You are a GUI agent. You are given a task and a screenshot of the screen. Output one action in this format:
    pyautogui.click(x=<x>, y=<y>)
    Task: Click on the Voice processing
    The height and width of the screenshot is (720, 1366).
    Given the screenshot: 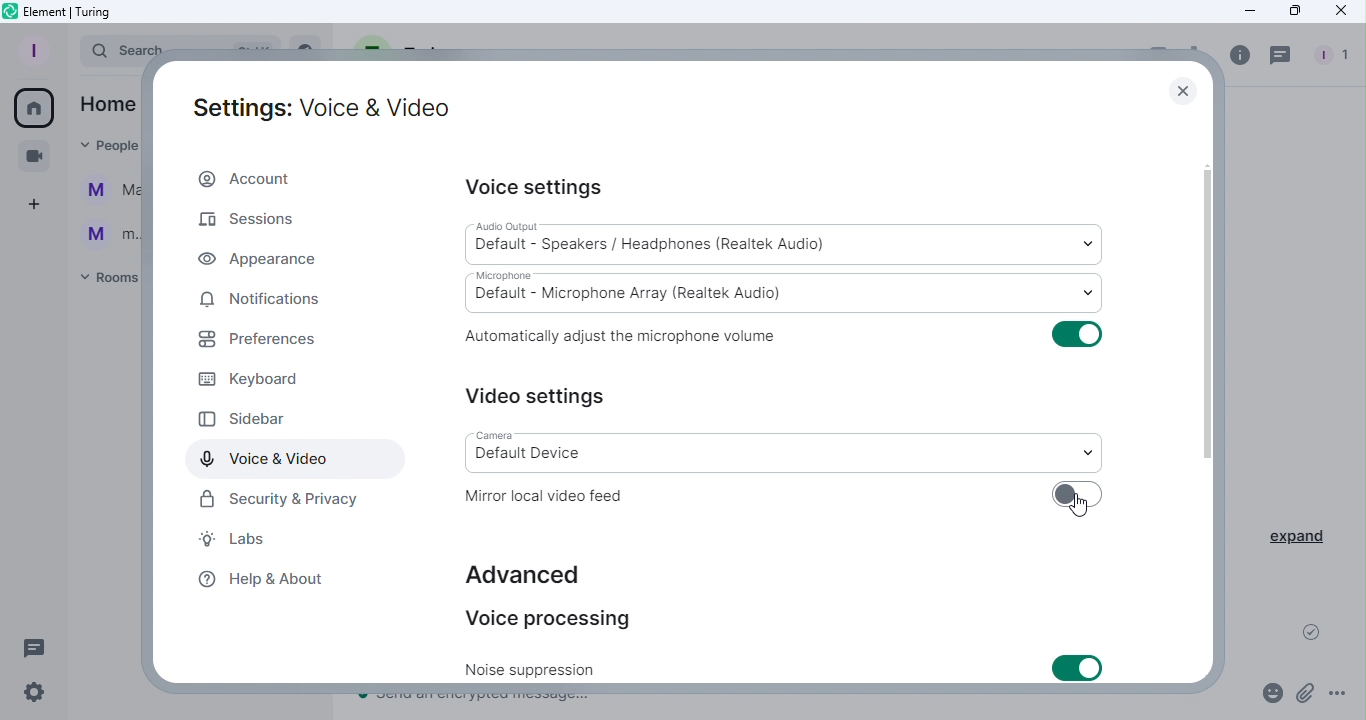 What is the action you would take?
    pyautogui.click(x=572, y=617)
    